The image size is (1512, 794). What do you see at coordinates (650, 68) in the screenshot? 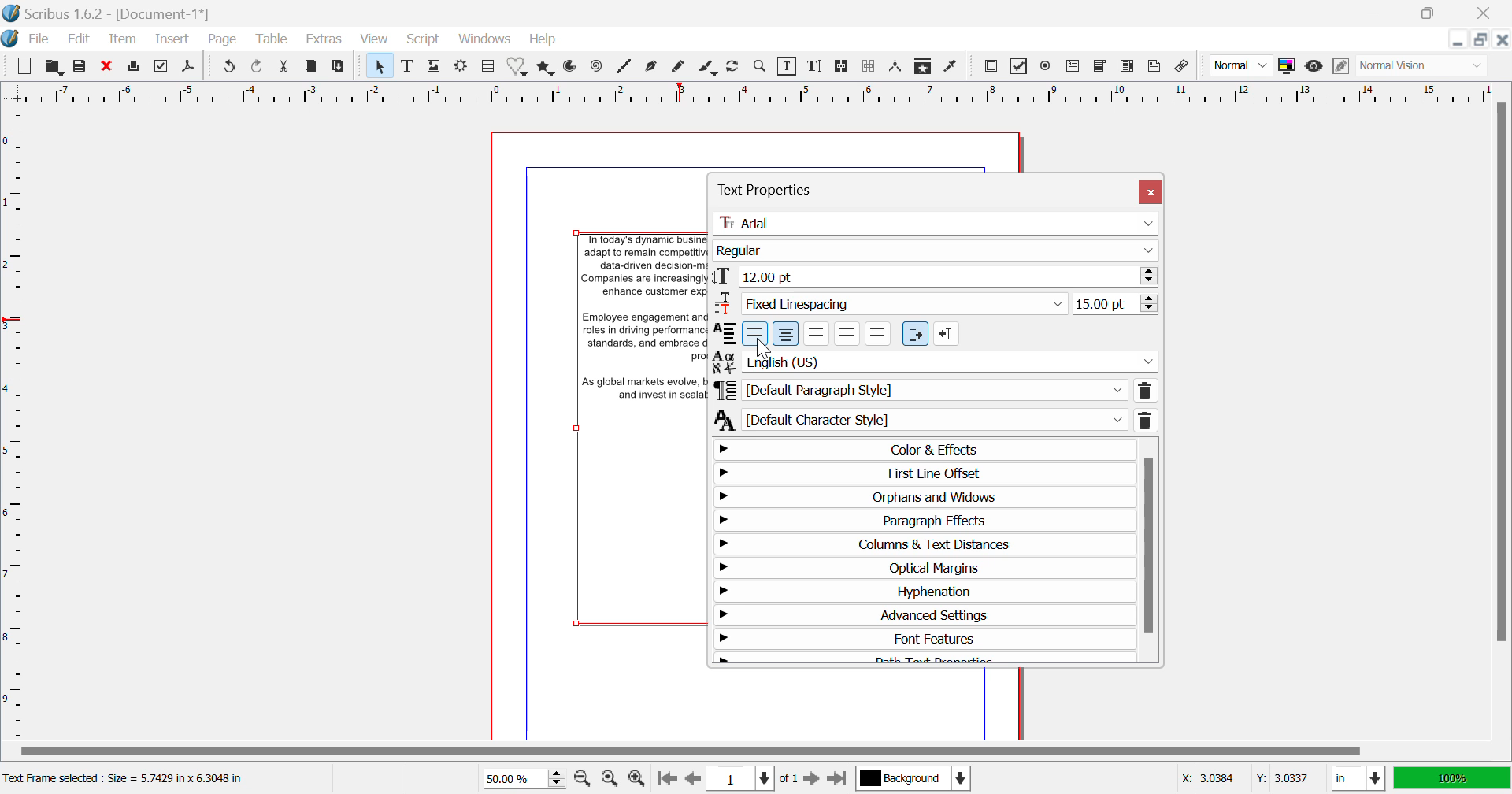
I see `Bezier Curve` at bounding box center [650, 68].